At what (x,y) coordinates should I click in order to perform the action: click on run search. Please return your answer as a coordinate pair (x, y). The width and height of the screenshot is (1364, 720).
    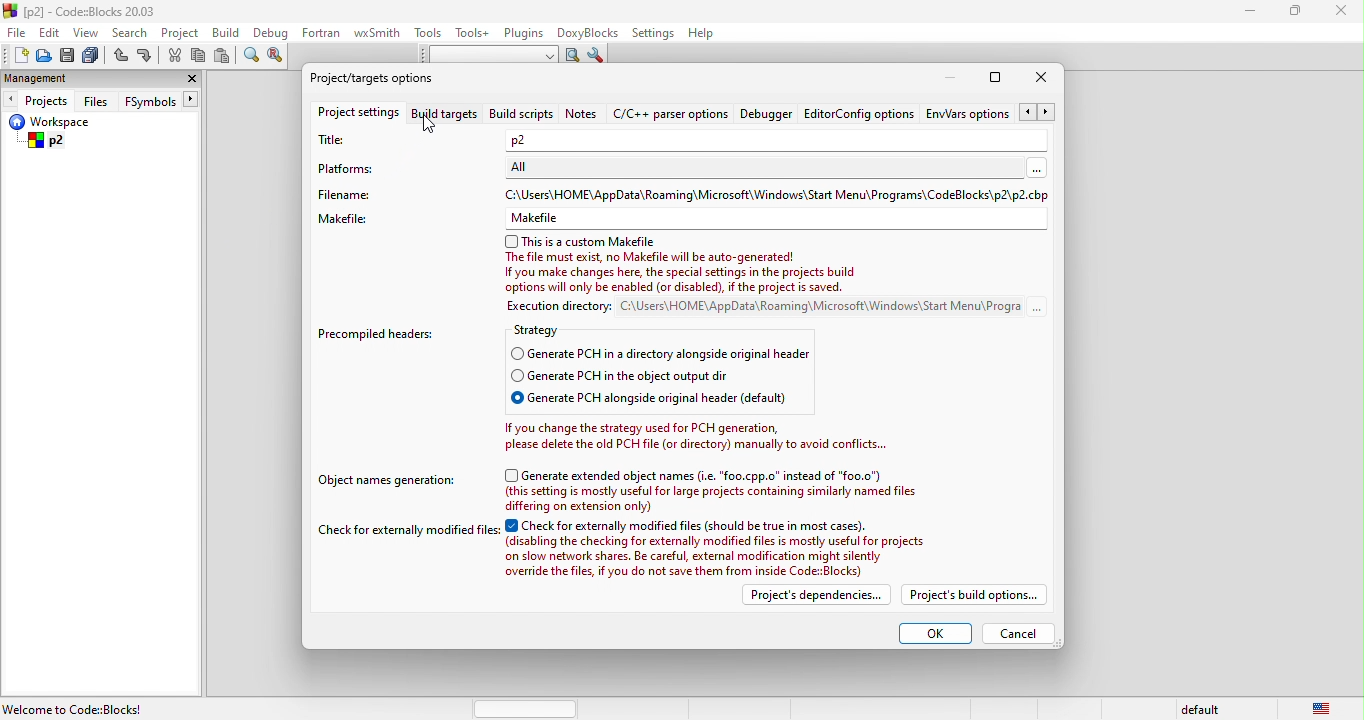
    Looking at the image, I should click on (571, 55).